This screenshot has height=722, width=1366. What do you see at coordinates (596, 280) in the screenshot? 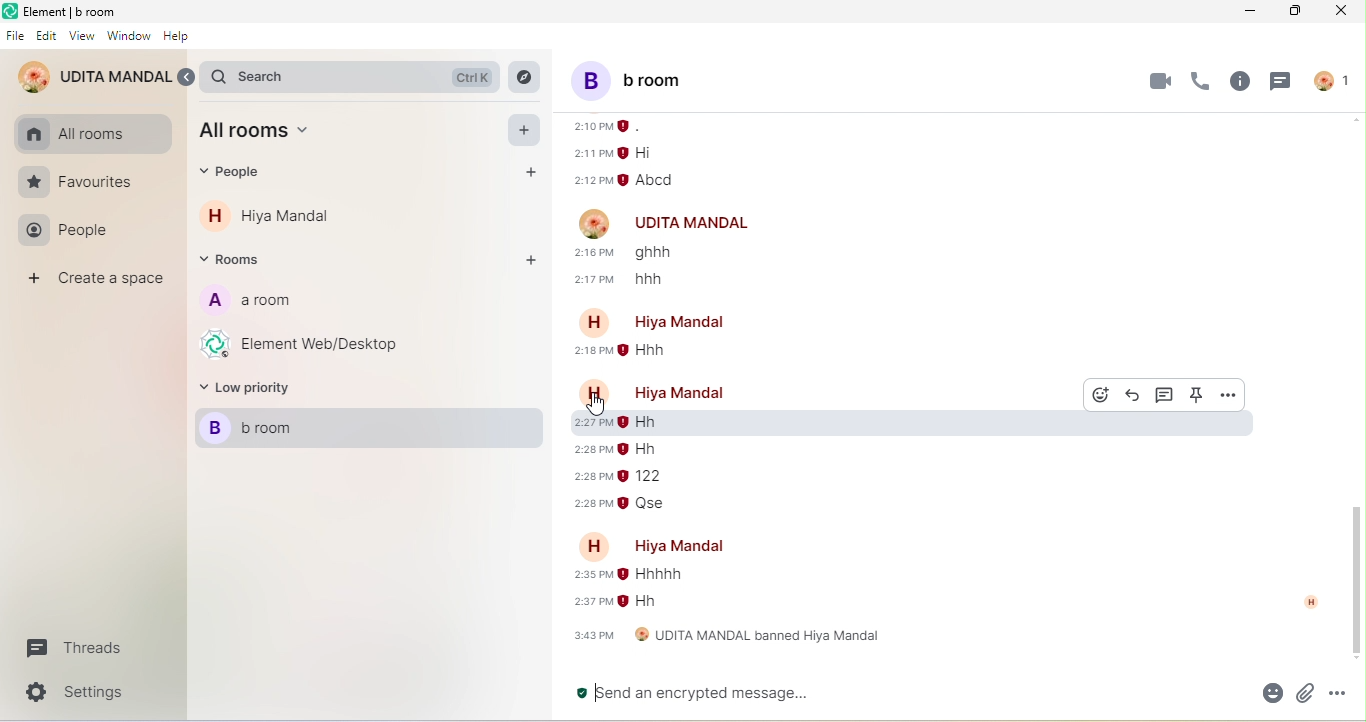
I see `sending message time` at bounding box center [596, 280].